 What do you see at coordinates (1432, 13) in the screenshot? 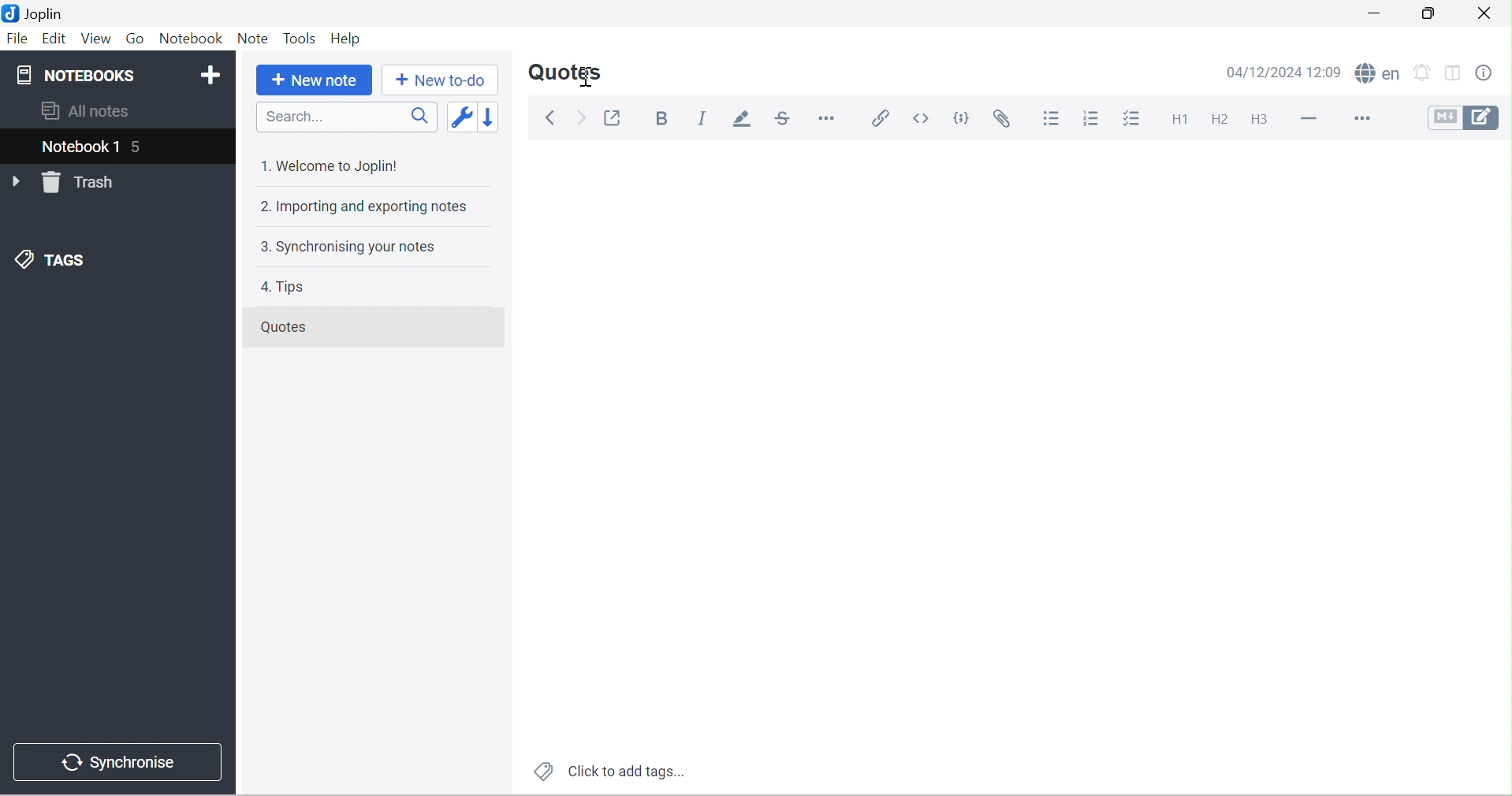
I see `Restore Down` at bounding box center [1432, 13].